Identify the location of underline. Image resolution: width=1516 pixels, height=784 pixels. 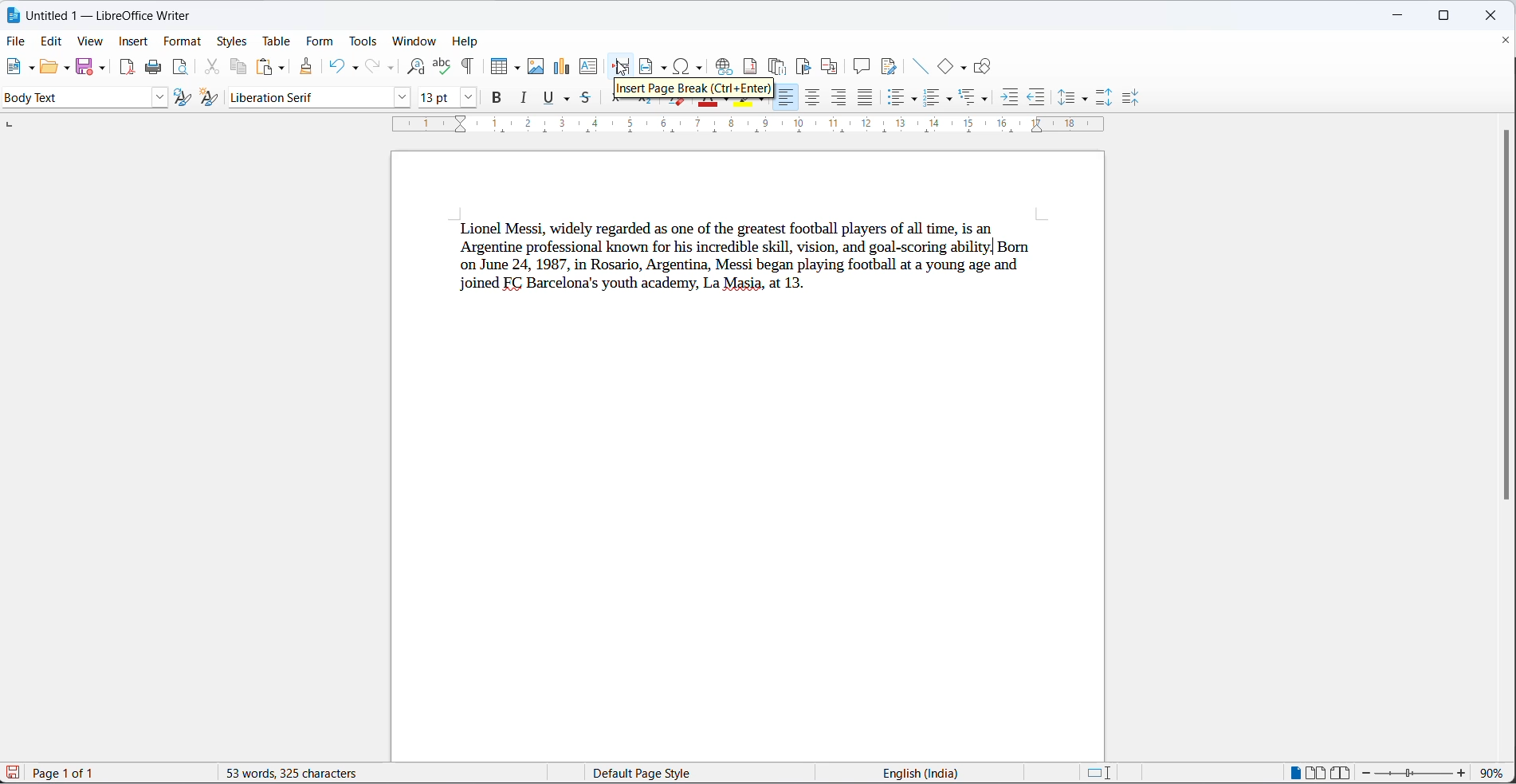
(568, 99).